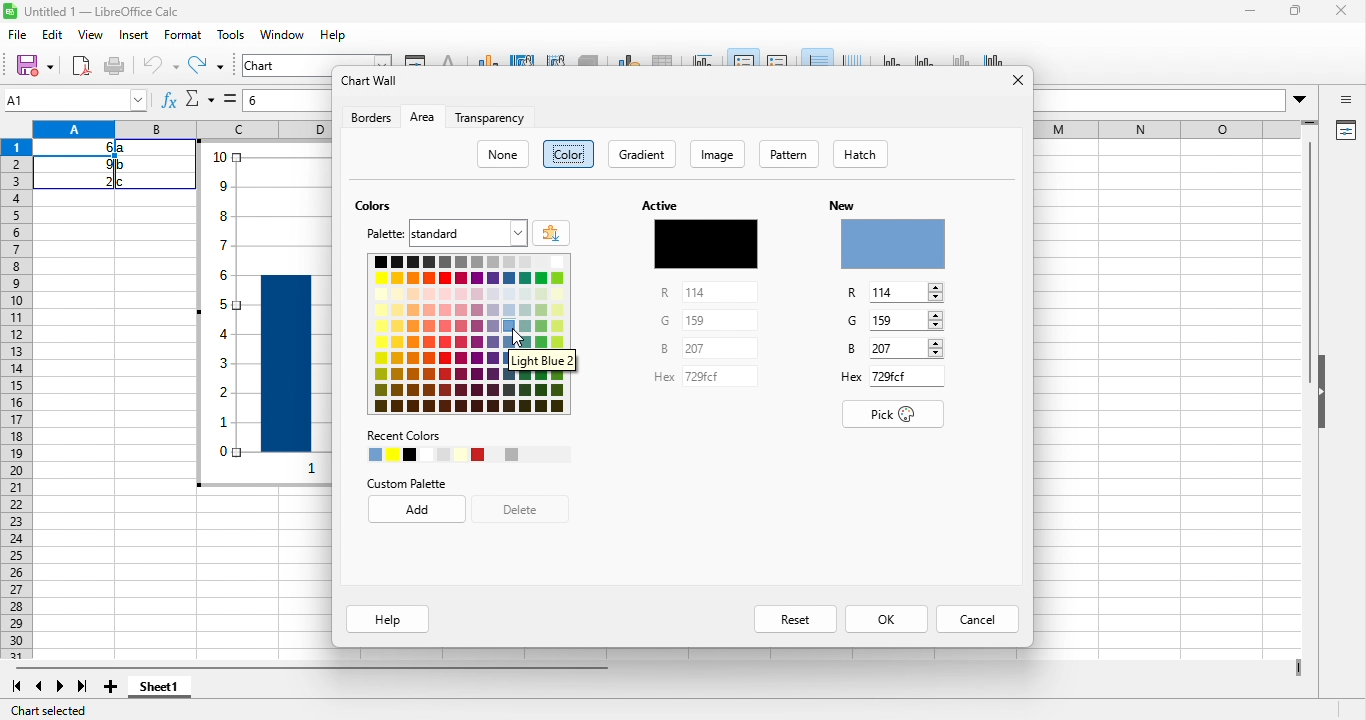  What do you see at coordinates (469, 458) in the screenshot?
I see `recent colors` at bounding box center [469, 458].